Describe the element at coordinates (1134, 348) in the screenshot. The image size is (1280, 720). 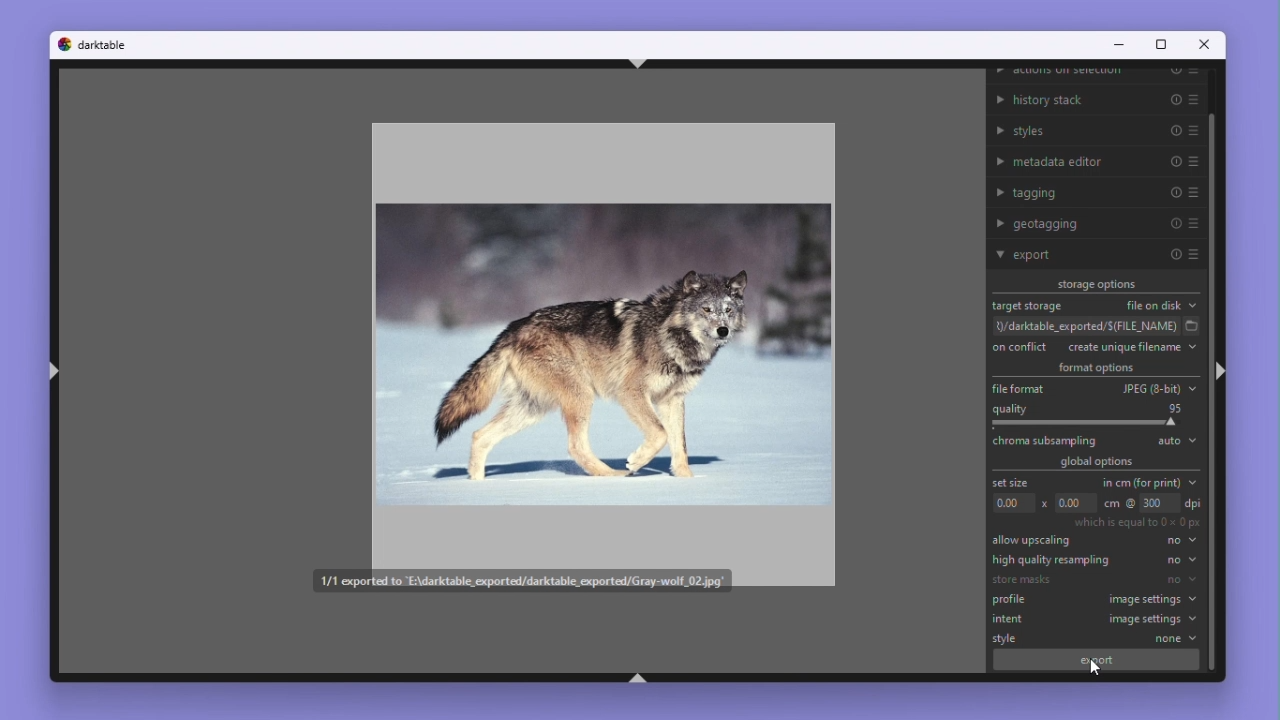
I see `Create unique file name` at that location.